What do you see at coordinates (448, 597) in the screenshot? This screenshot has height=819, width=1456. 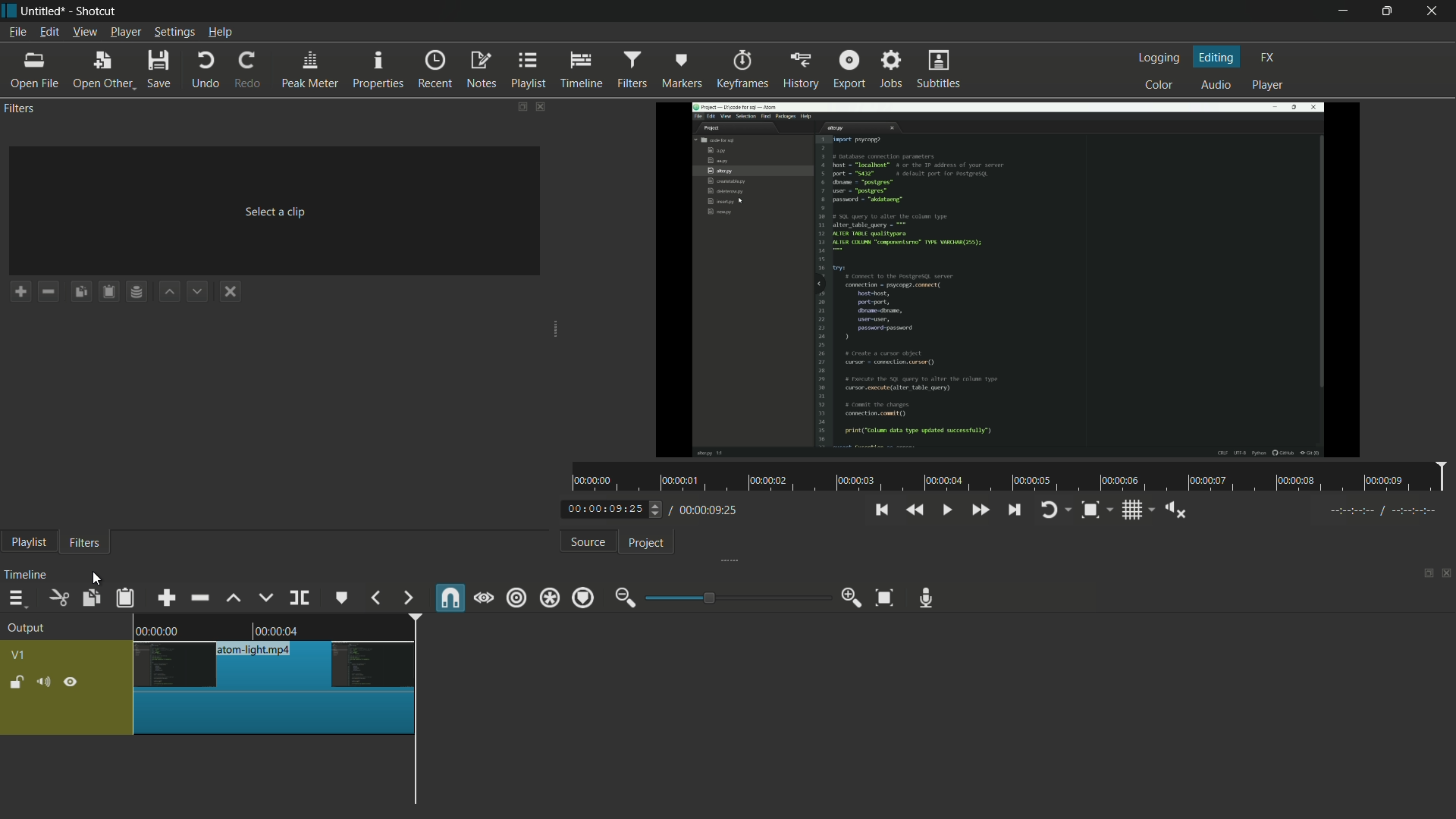 I see `snap` at bounding box center [448, 597].